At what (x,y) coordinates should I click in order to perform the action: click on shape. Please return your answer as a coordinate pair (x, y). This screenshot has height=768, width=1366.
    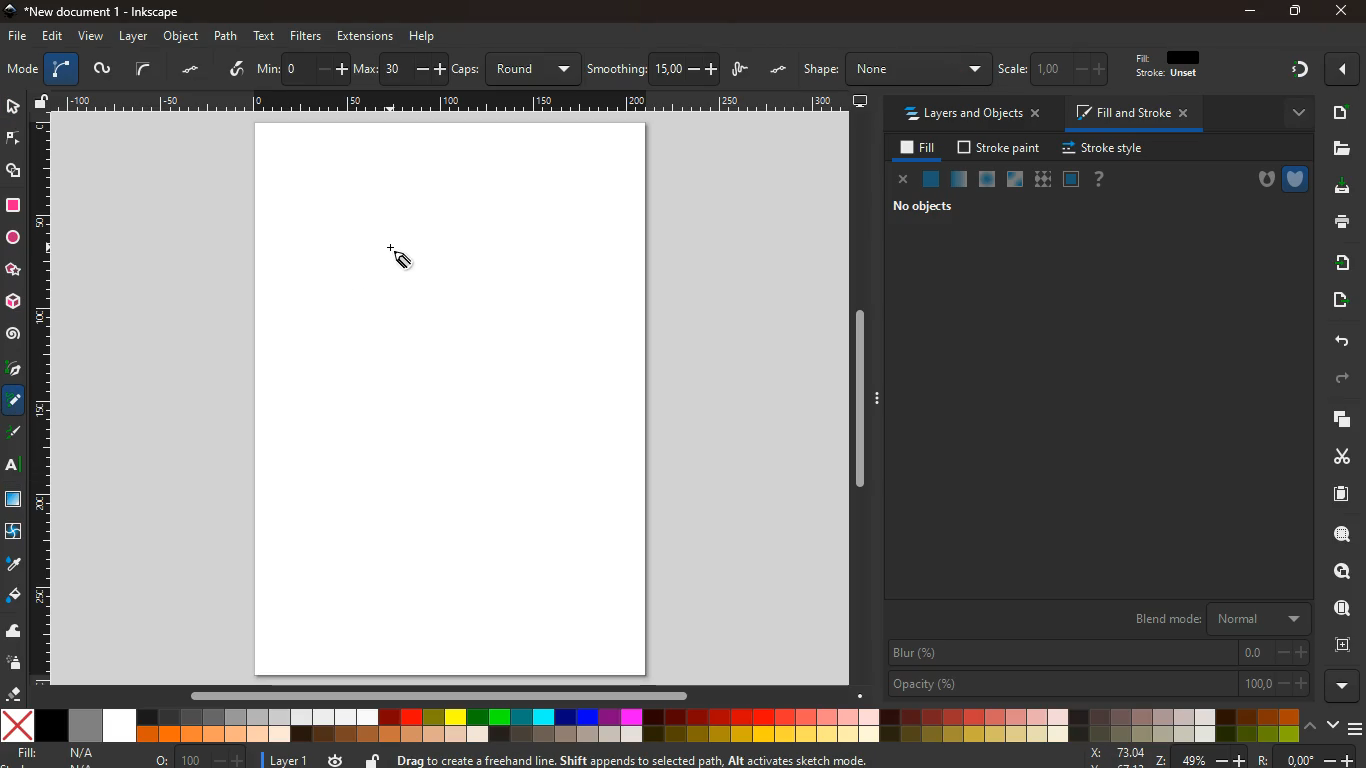
    Looking at the image, I should click on (896, 69).